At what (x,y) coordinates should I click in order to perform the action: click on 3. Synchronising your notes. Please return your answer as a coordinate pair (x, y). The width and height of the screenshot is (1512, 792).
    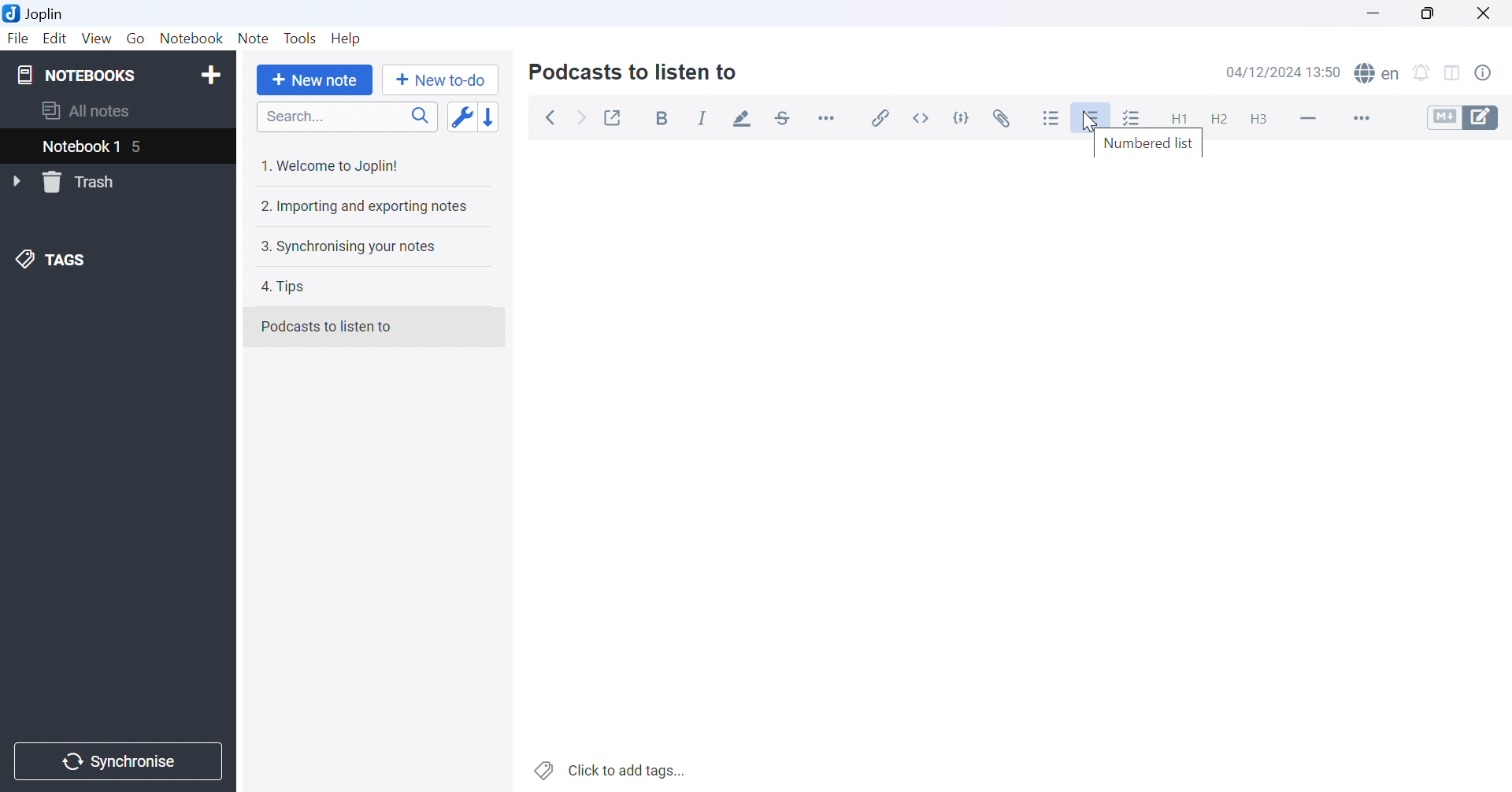
    Looking at the image, I should click on (348, 249).